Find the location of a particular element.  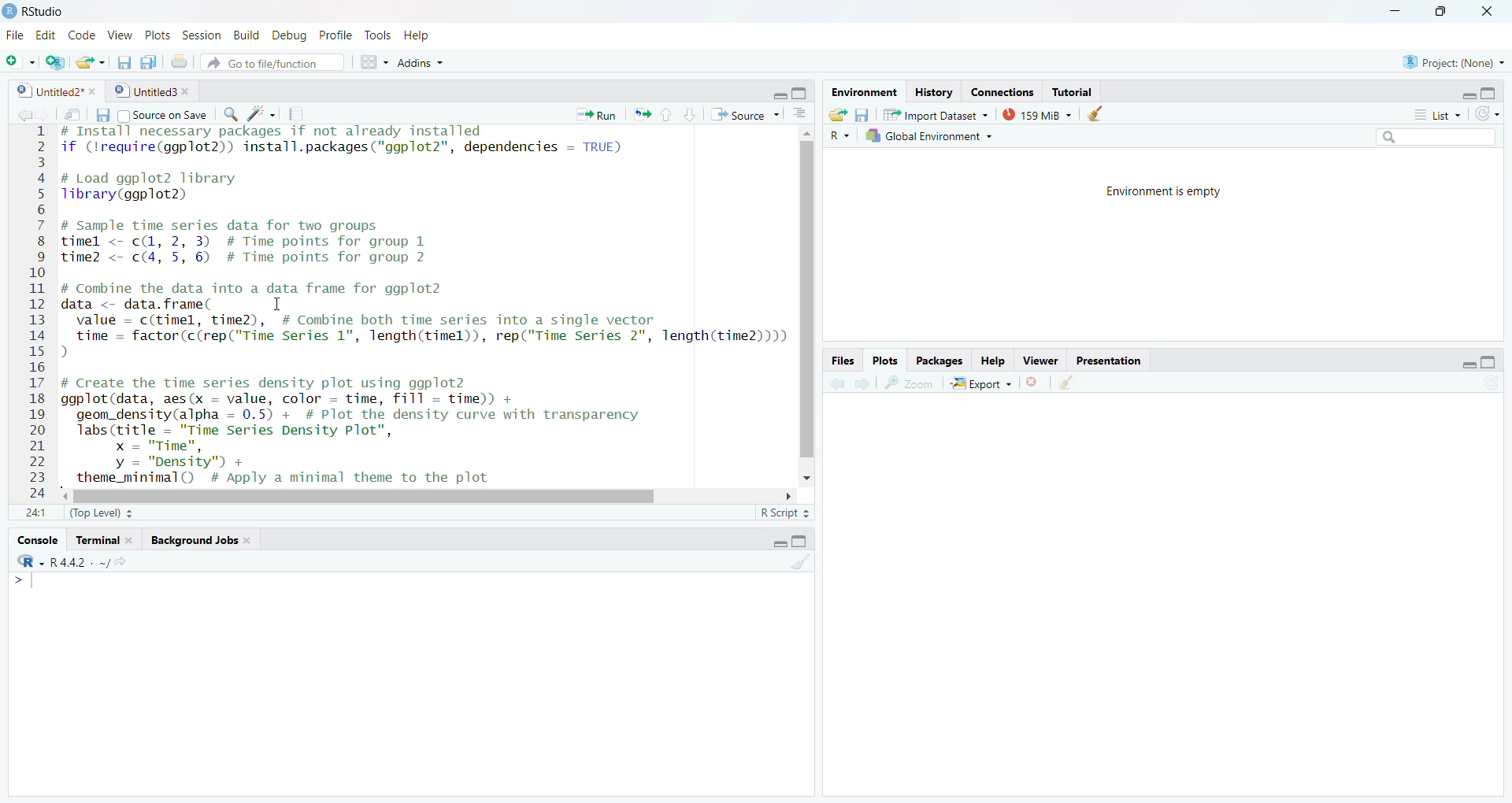

Forward is located at coordinates (42, 115).